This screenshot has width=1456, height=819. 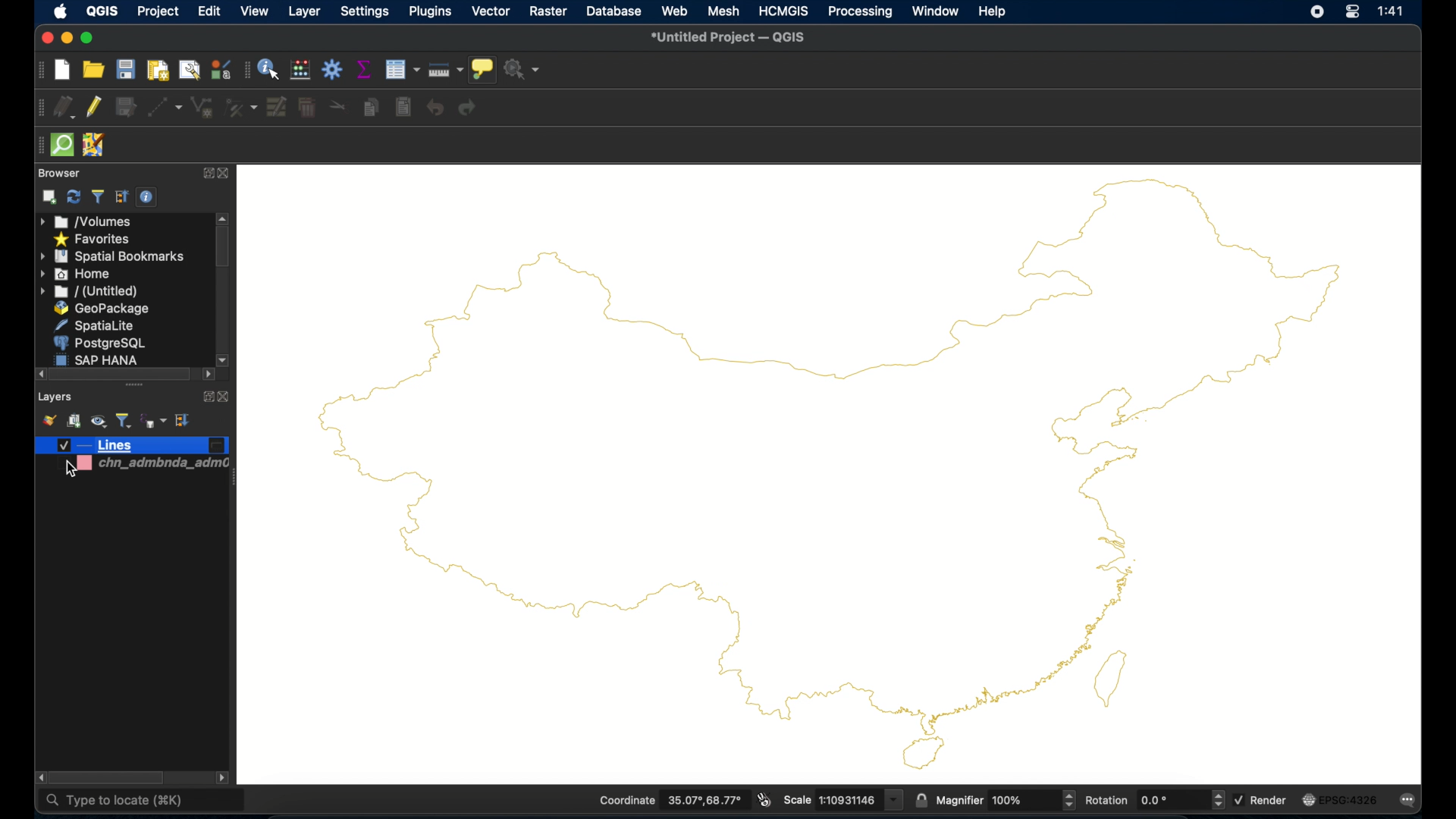 I want to click on plugins, so click(x=428, y=11).